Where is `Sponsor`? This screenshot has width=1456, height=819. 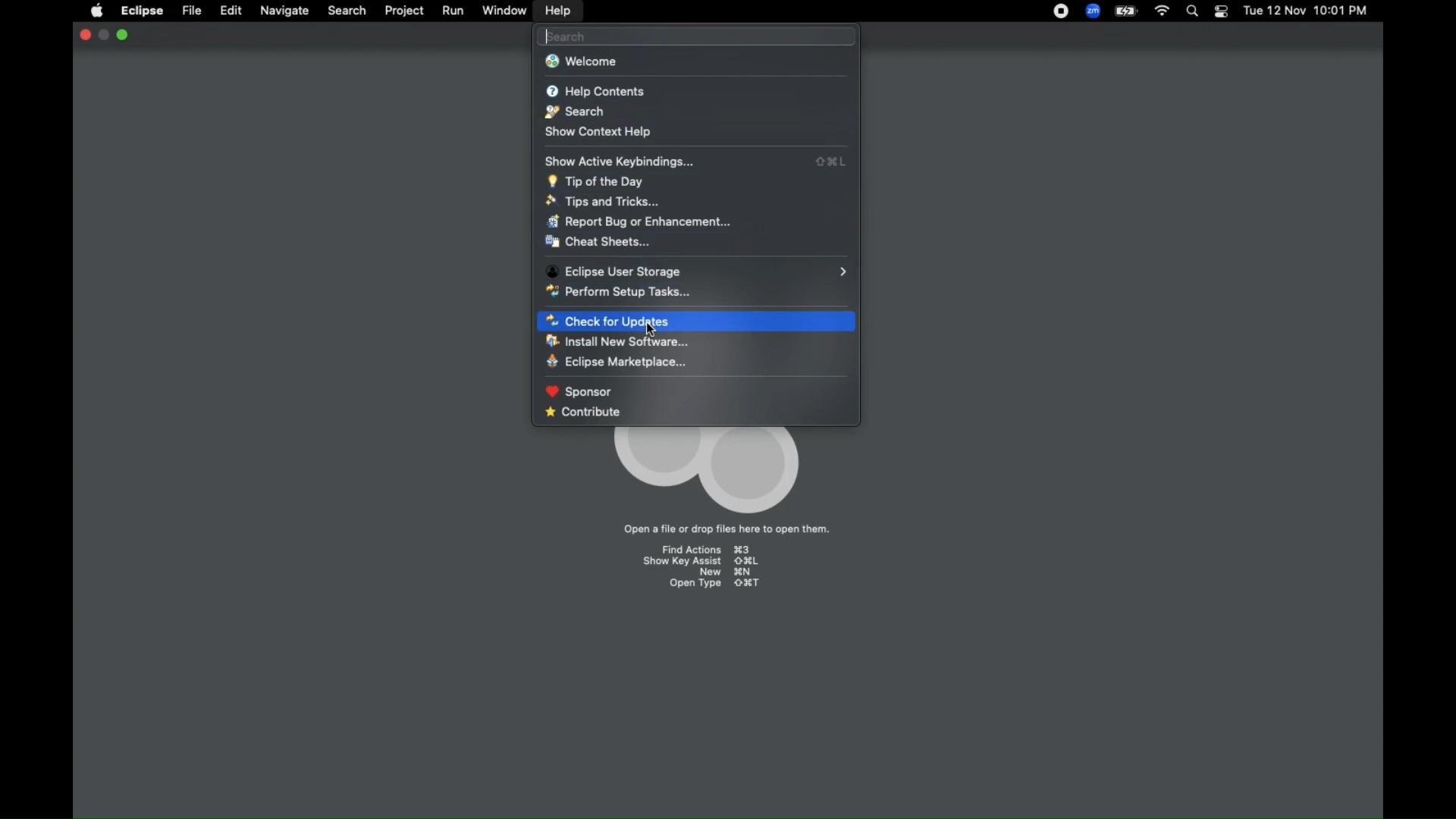
Sponsor is located at coordinates (695, 391).